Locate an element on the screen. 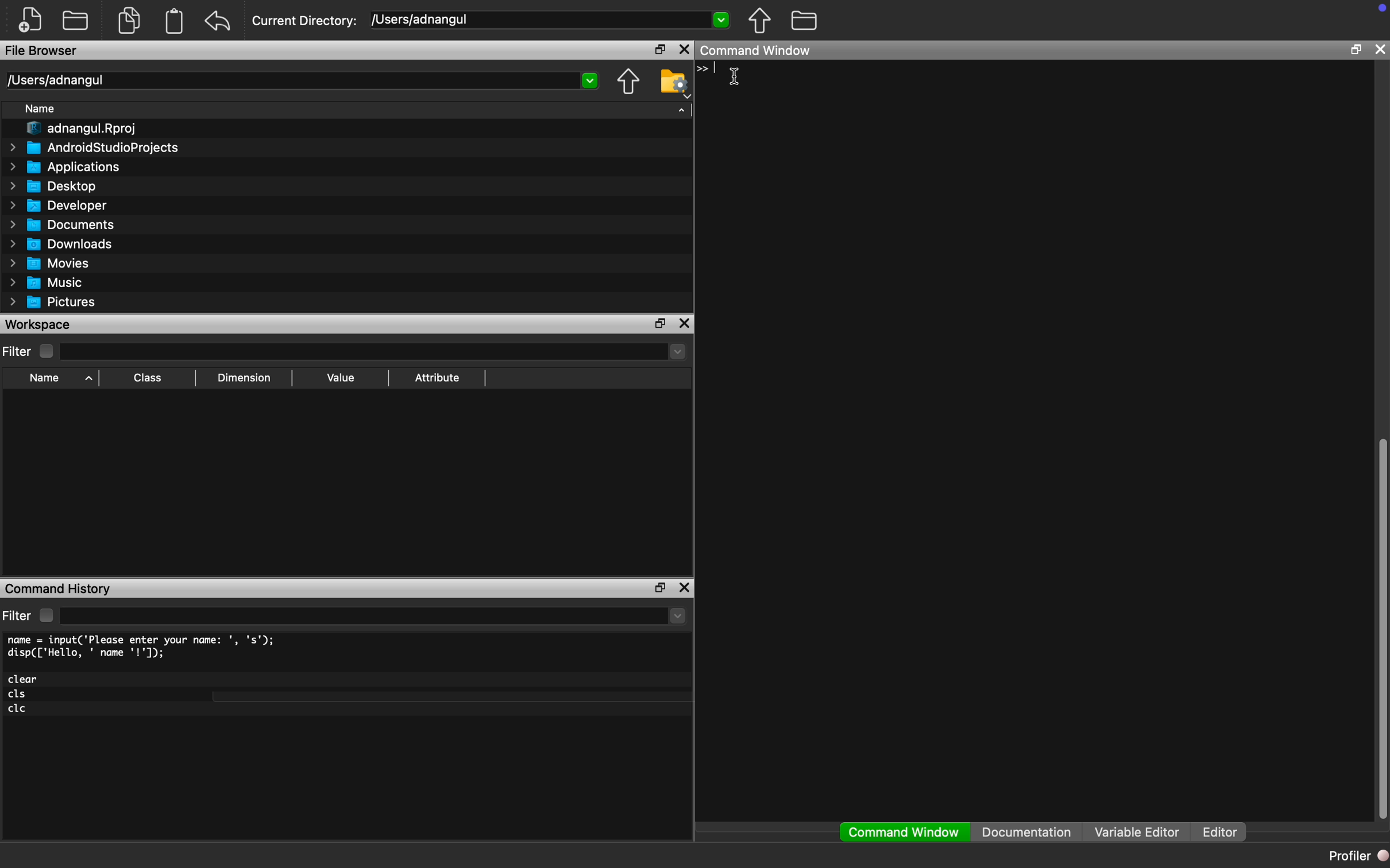  clc is located at coordinates (18, 709).